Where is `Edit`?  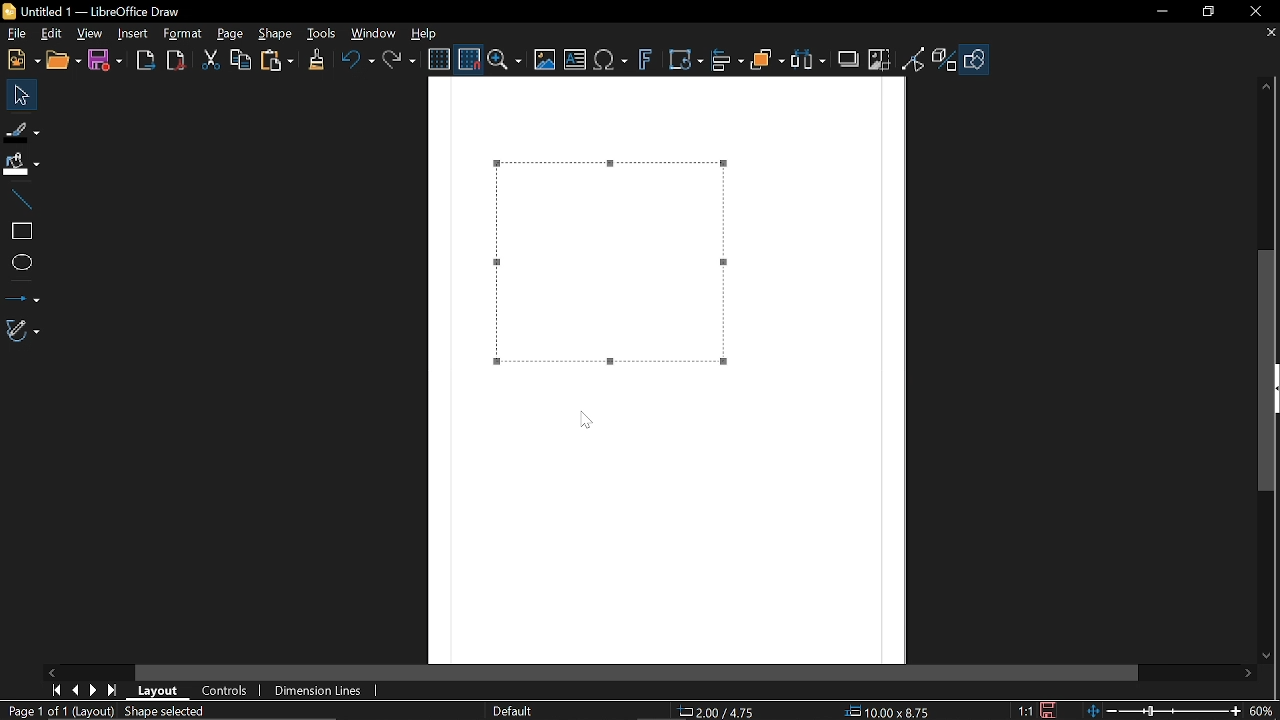 Edit is located at coordinates (53, 34).